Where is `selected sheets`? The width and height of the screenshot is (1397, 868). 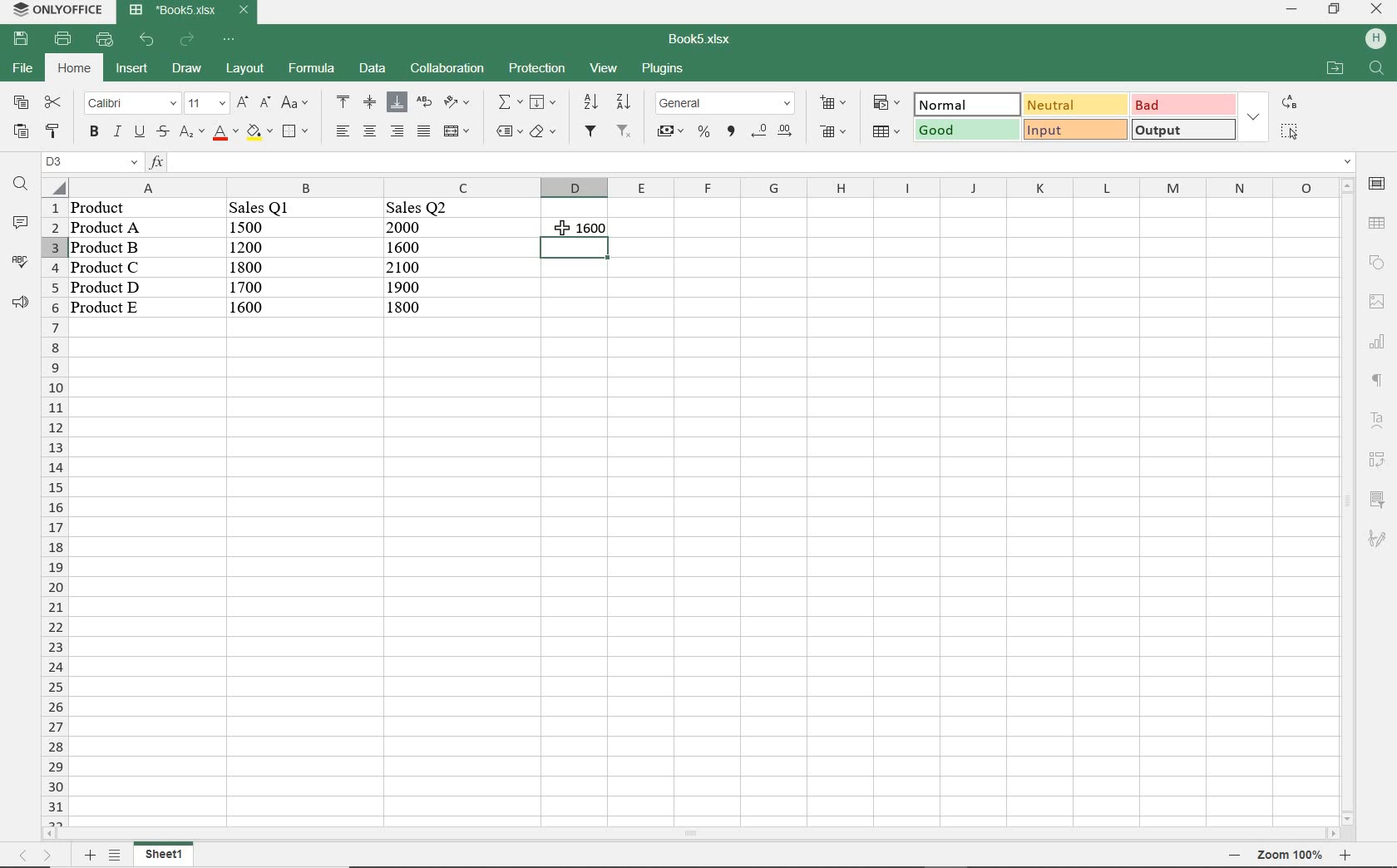 selected sheets is located at coordinates (575, 249).